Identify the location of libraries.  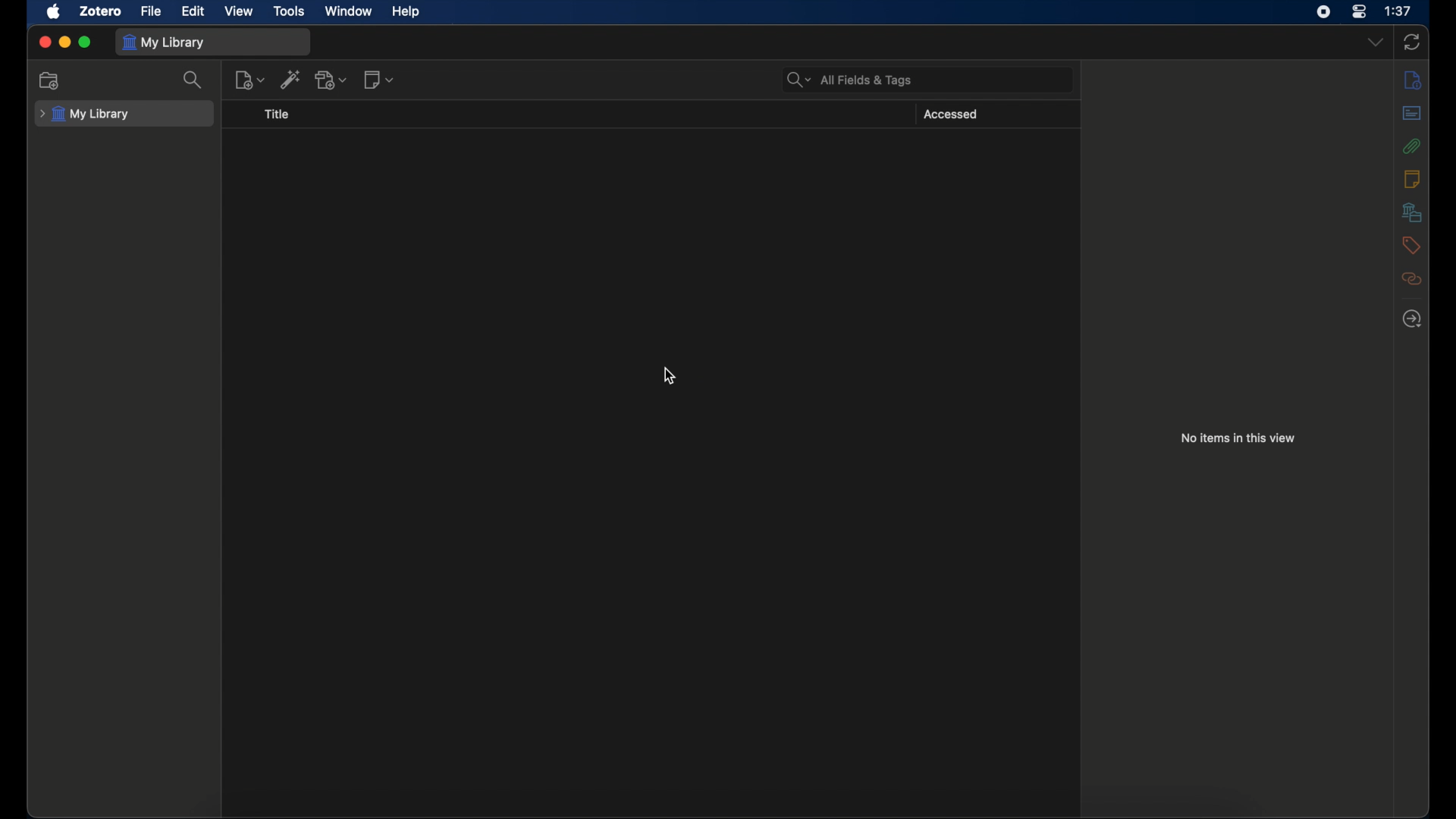
(1410, 212).